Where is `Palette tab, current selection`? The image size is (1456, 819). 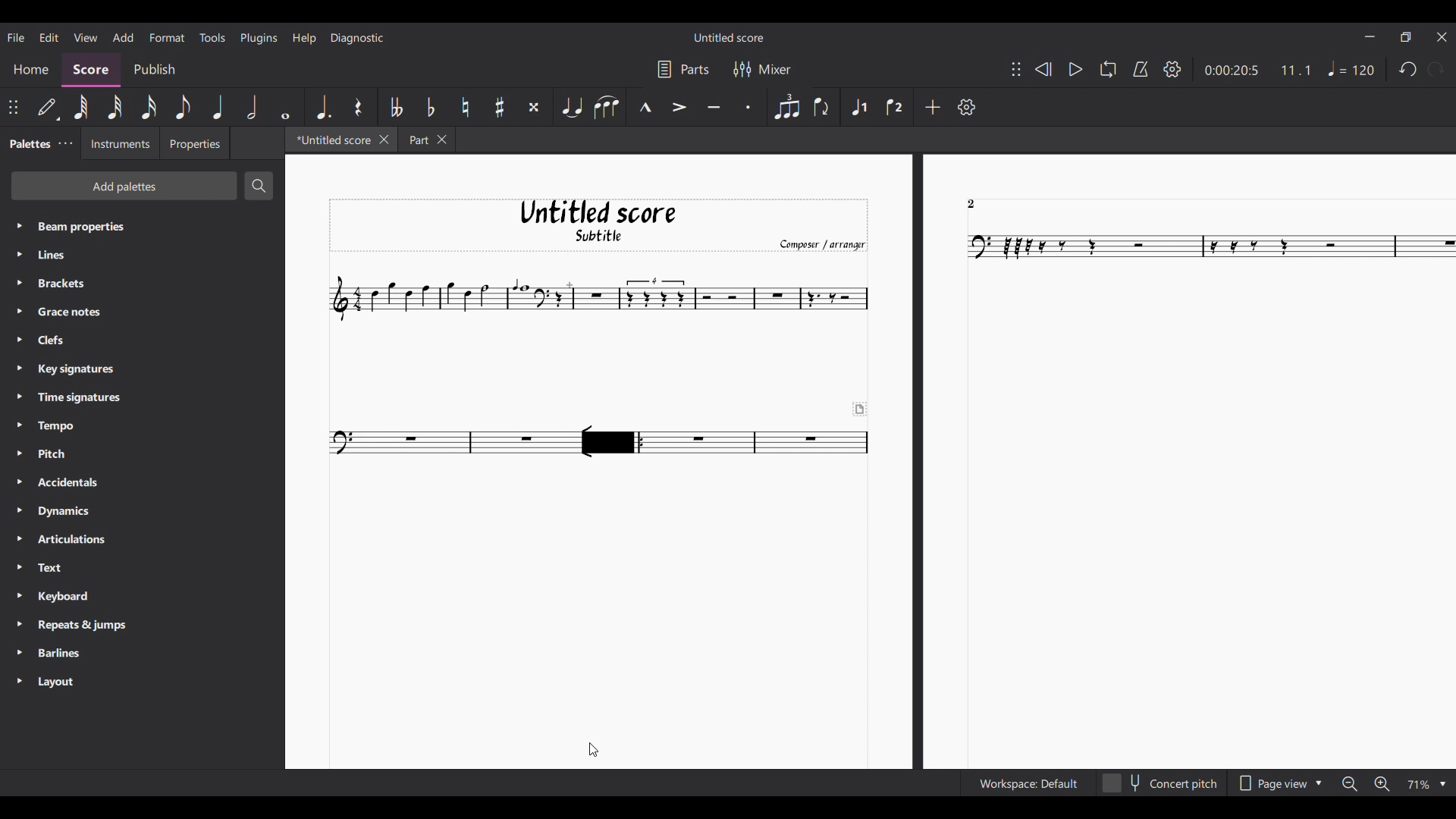 Palette tab, current selection is located at coordinates (27, 144).